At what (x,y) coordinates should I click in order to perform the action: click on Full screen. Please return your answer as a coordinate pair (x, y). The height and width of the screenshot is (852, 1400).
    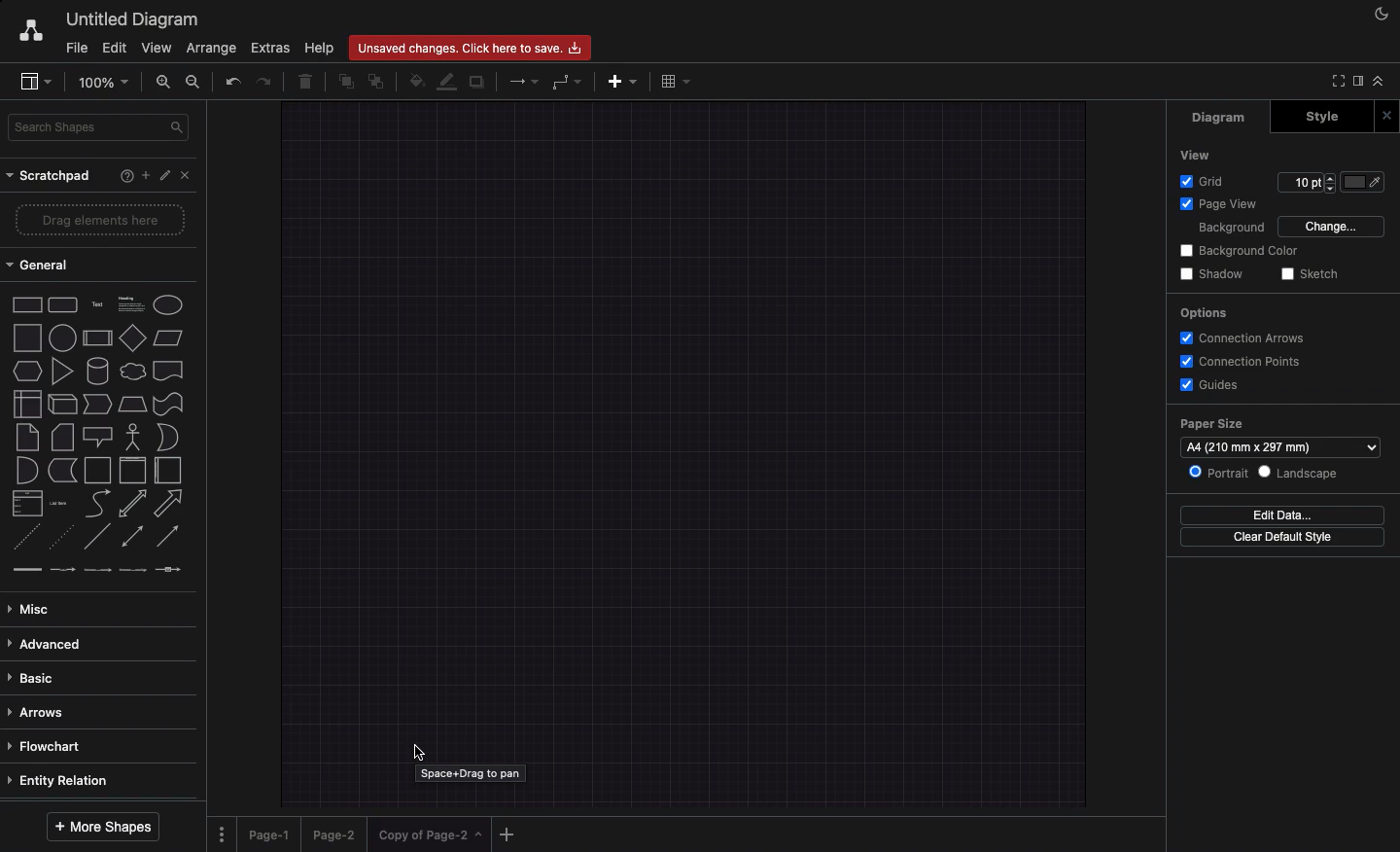
    Looking at the image, I should click on (1334, 83).